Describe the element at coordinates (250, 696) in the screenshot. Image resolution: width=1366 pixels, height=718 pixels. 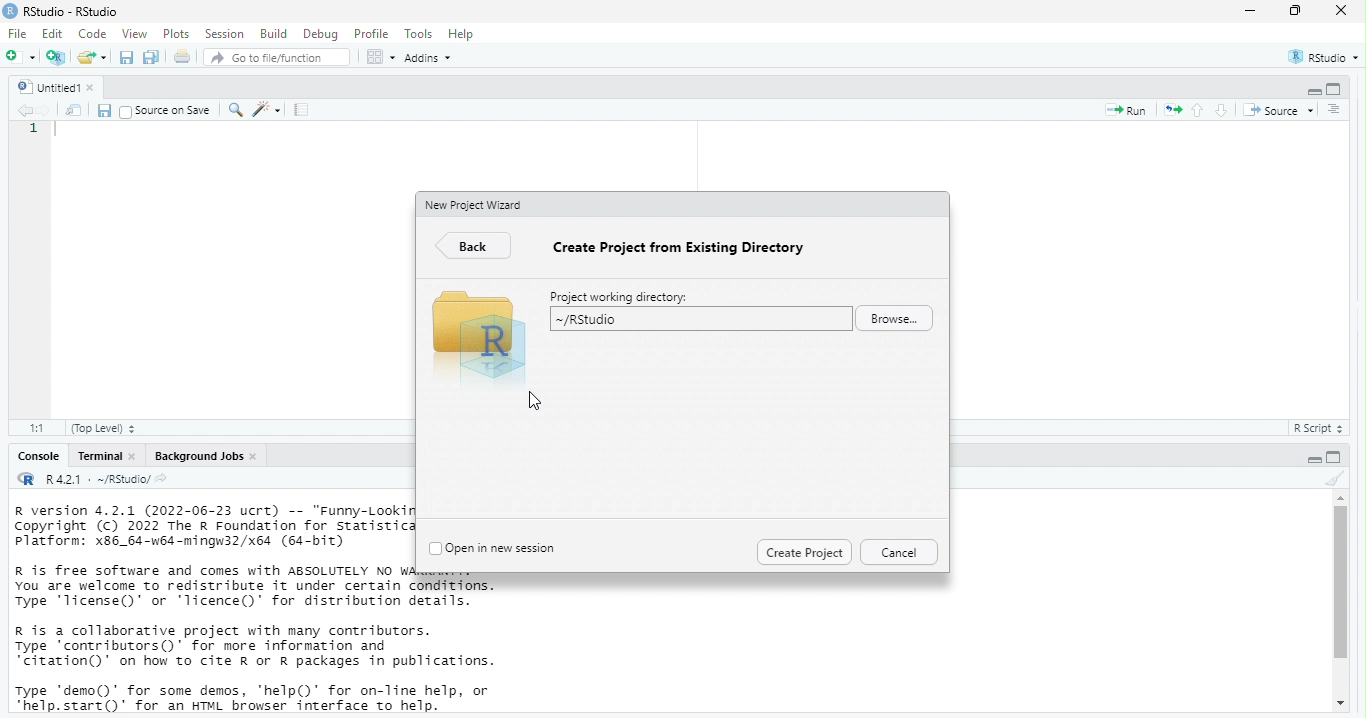
I see `description of any demo and help` at that location.